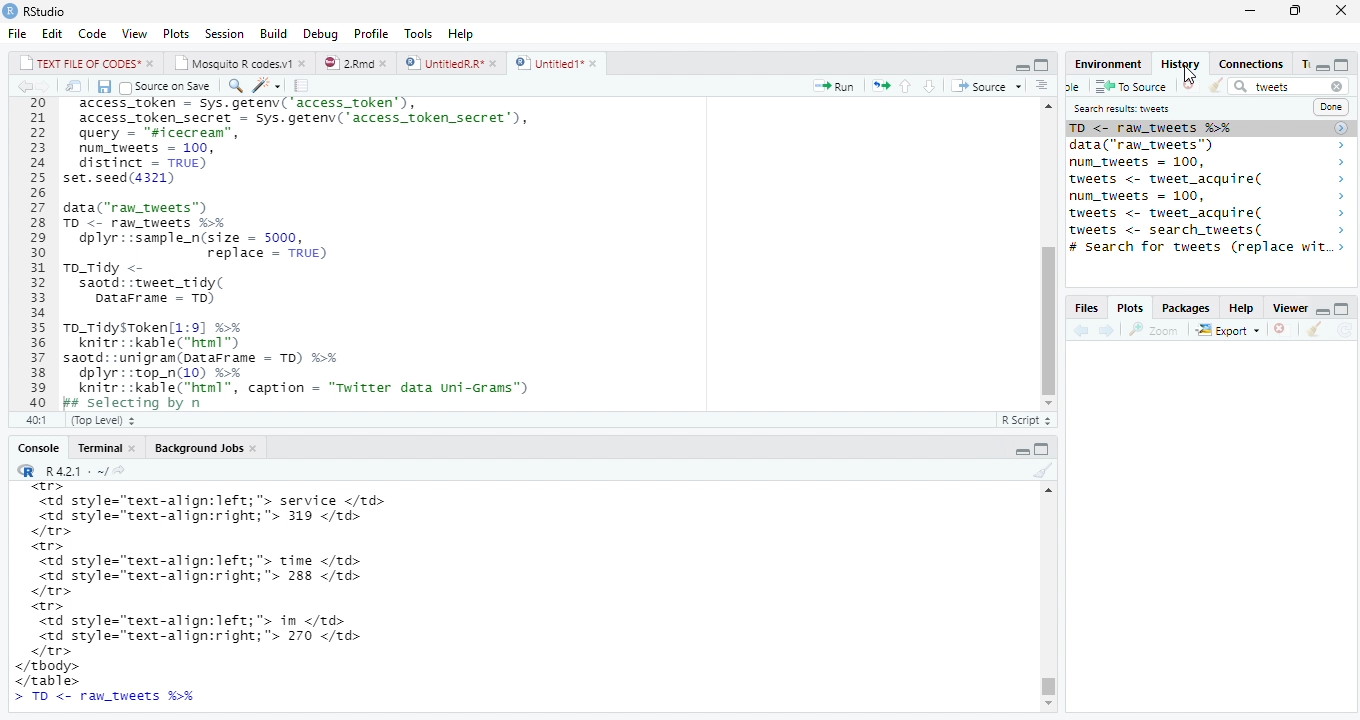 Image resolution: width=1360 pixels, height=720 pixels. I want to click on Code, so click(92, 33).